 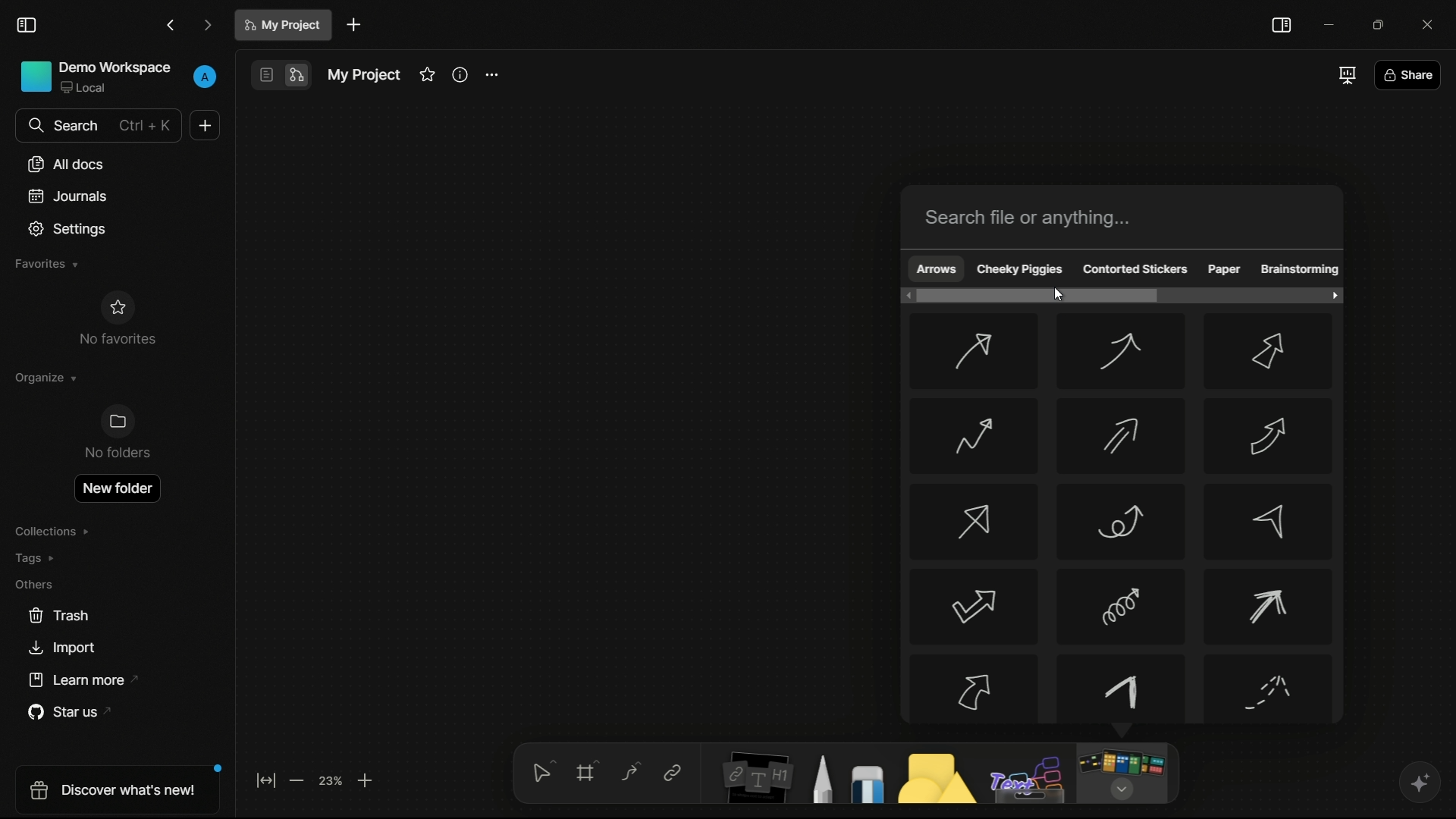 What do you see at coordinates (96, 78) in the screenshot?
I see `demo workspace` at bounding box center [96, 78].